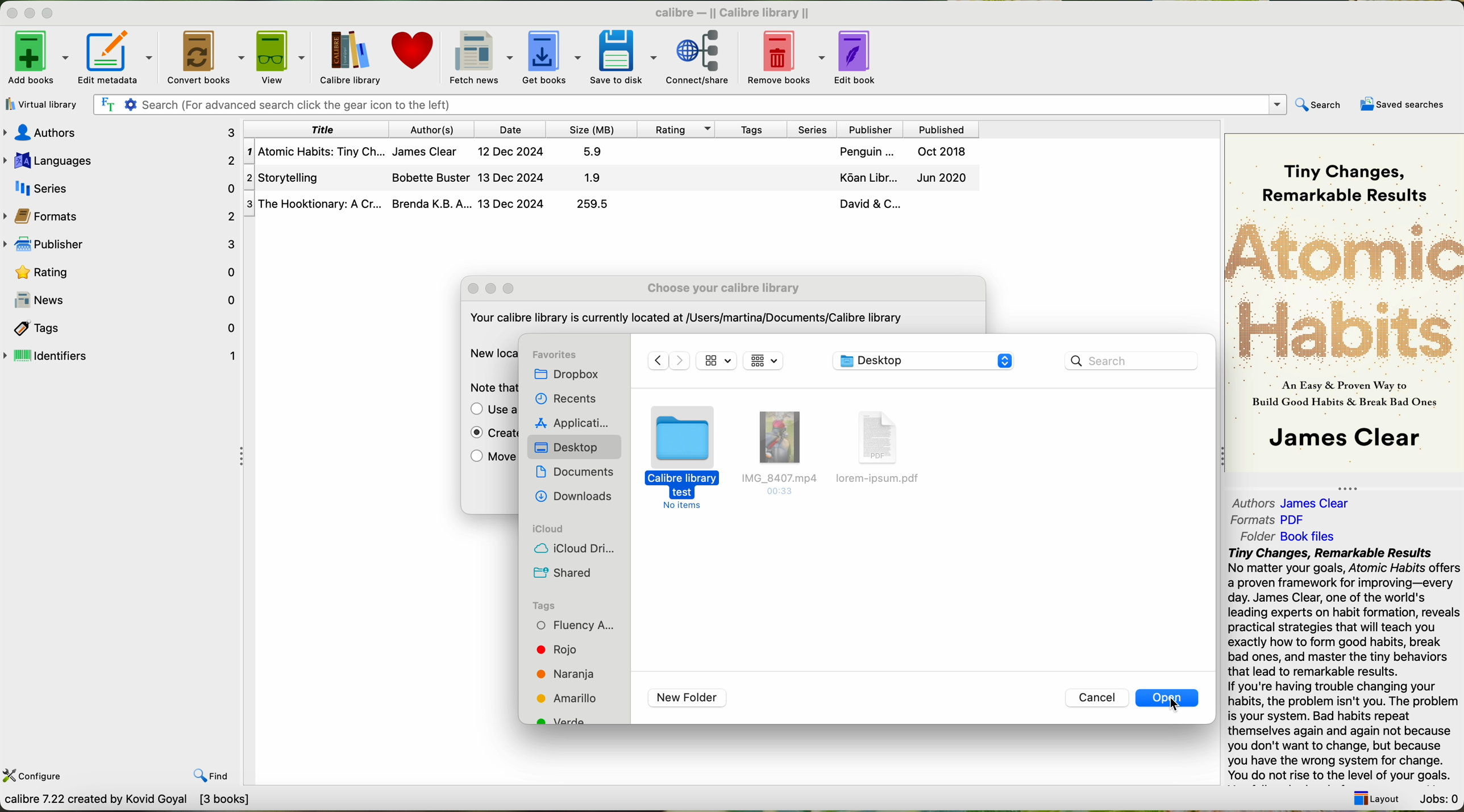 The width and height of the screenshot is (1464, 812). I want to click on enable create an empty library, so click(489, 435).